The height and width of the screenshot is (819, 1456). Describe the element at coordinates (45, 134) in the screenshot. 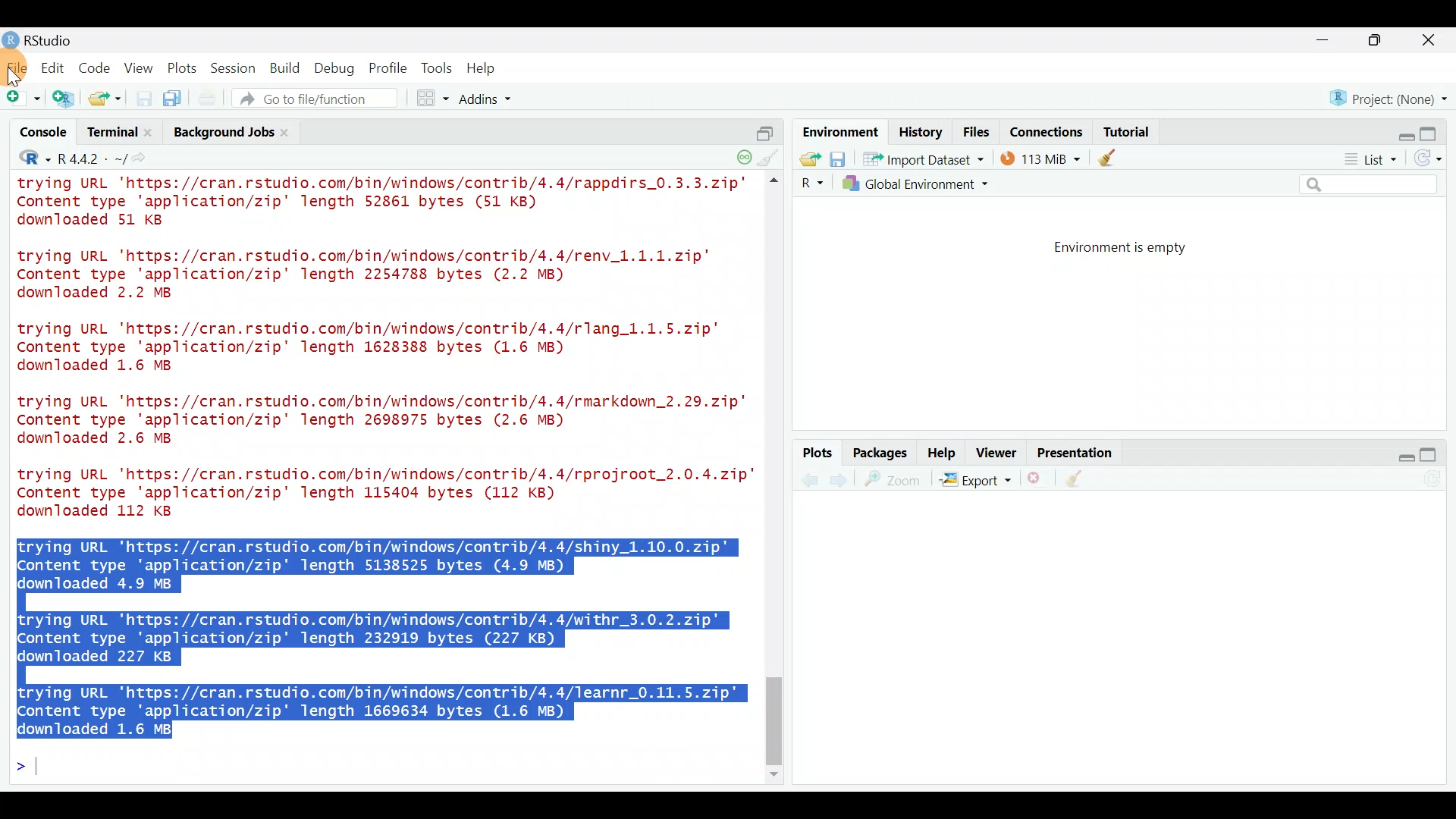

I see `Console` at that location.